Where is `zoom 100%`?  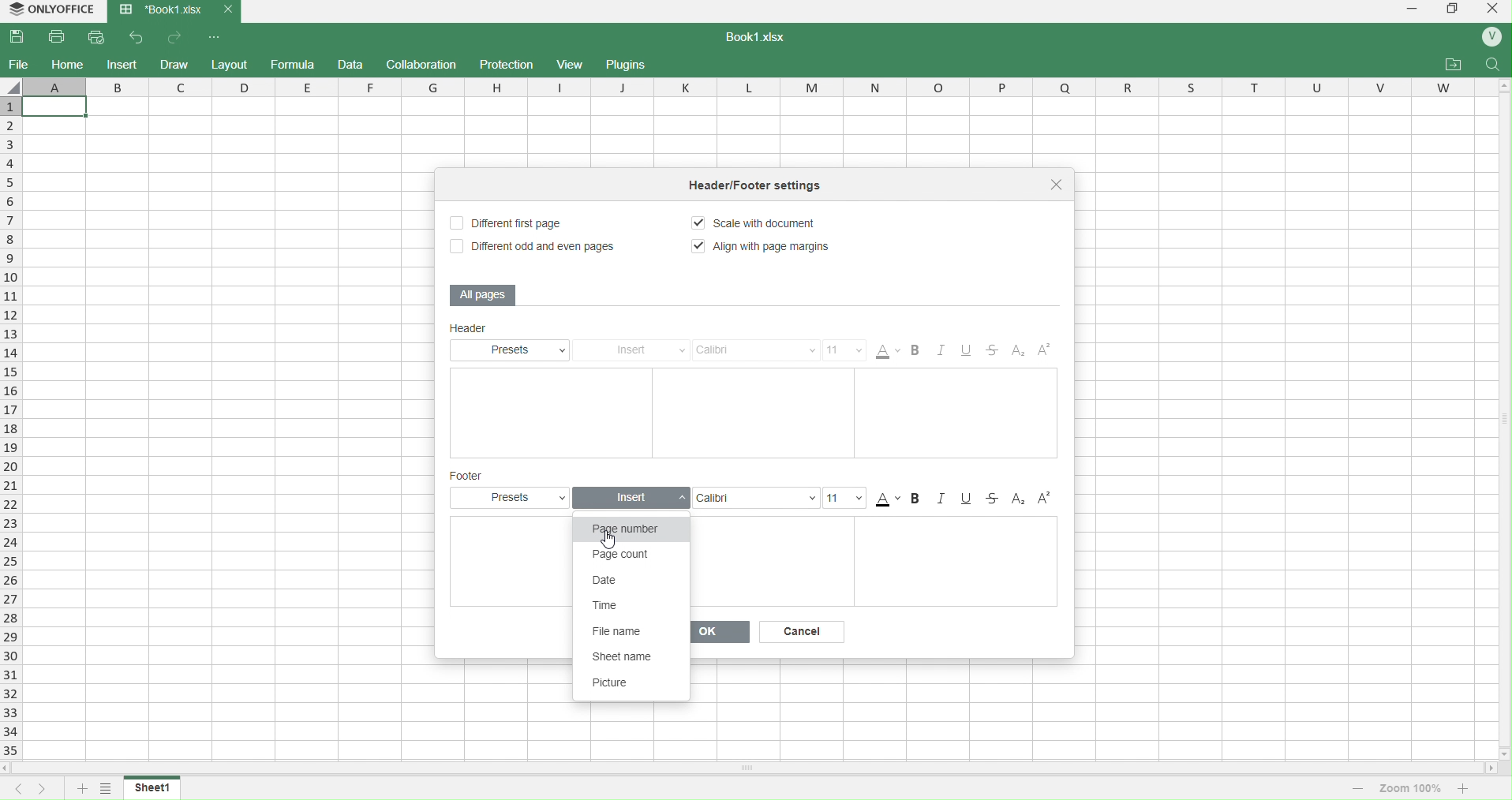 zoom 100% is located at coordinates (1412, 787).